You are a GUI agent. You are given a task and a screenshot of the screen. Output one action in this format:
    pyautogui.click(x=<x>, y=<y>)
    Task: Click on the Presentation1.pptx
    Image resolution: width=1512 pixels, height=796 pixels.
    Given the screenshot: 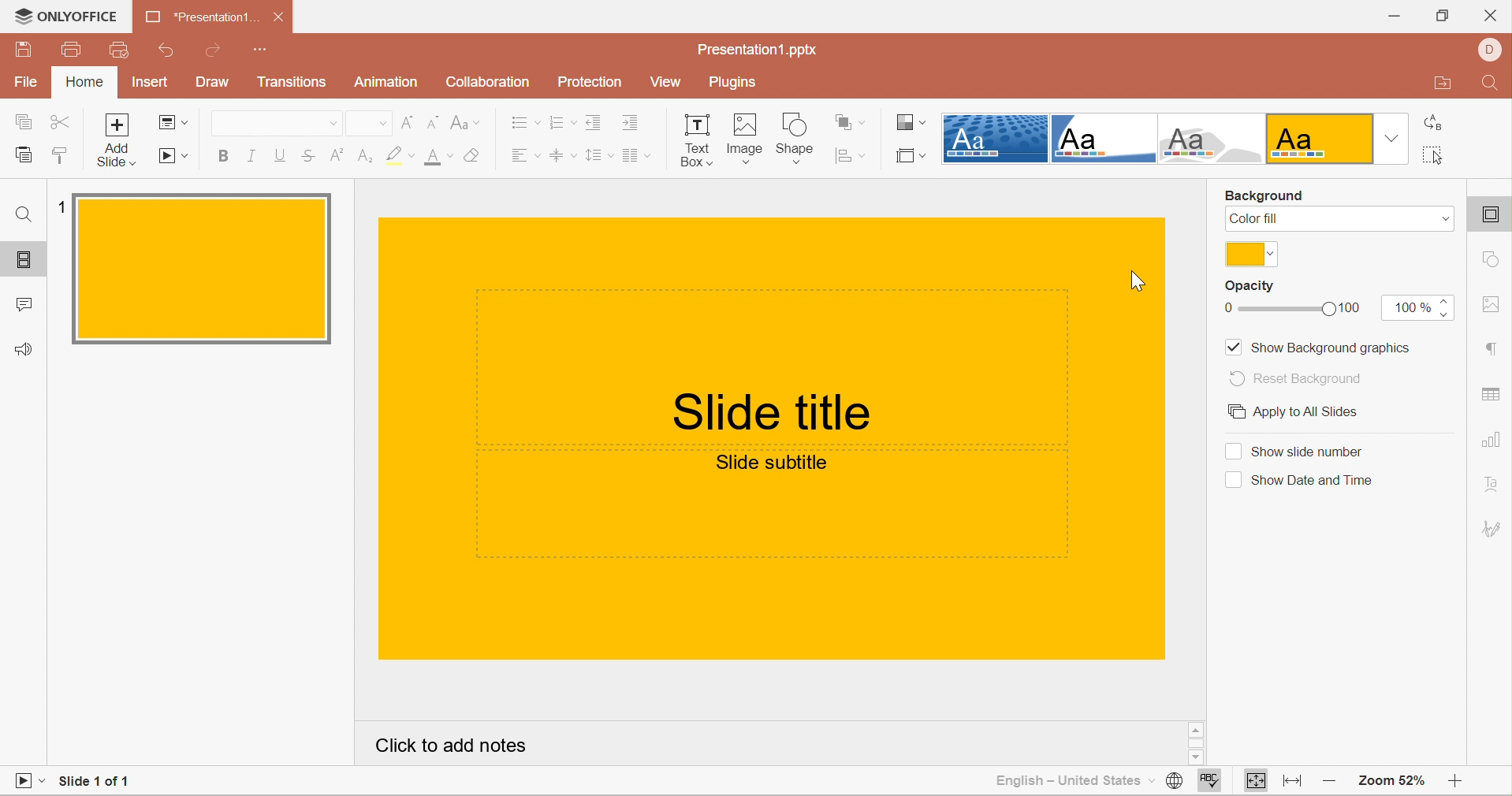 What is the action you would take?
    pyautogui.click(x=758, y=49)
    